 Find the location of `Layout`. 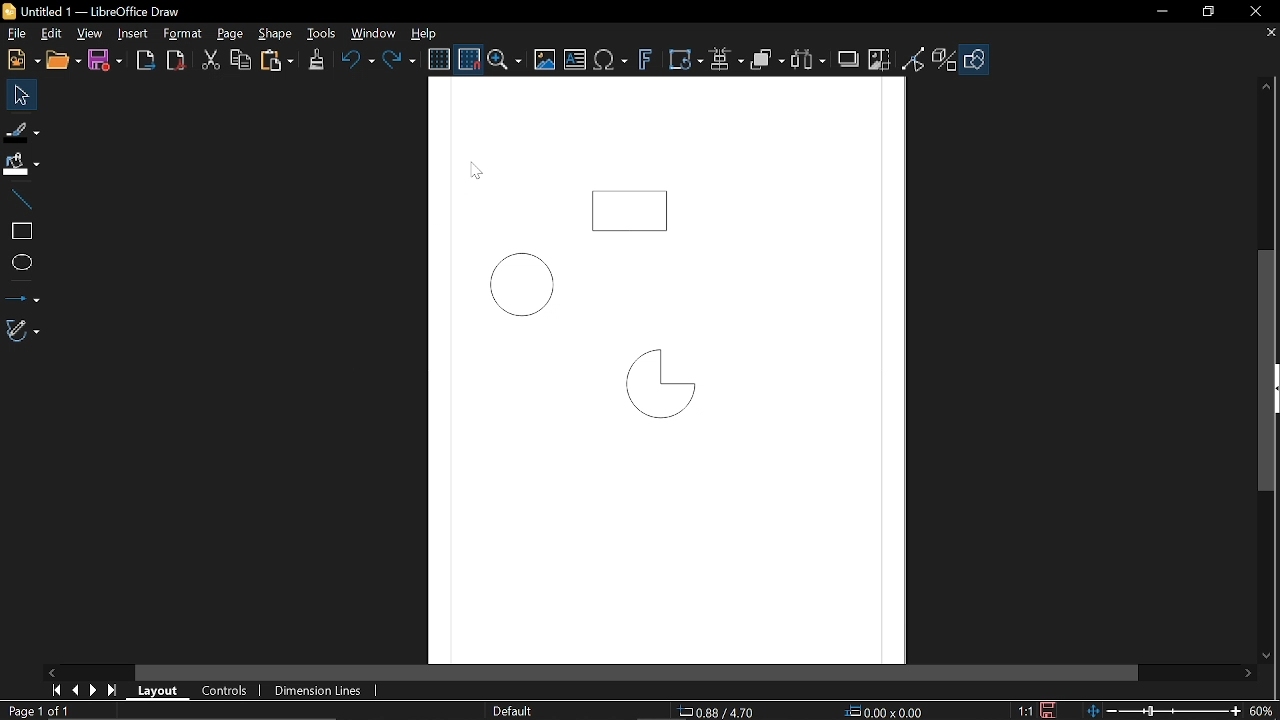

Layout is located at coordinates (156, 691).